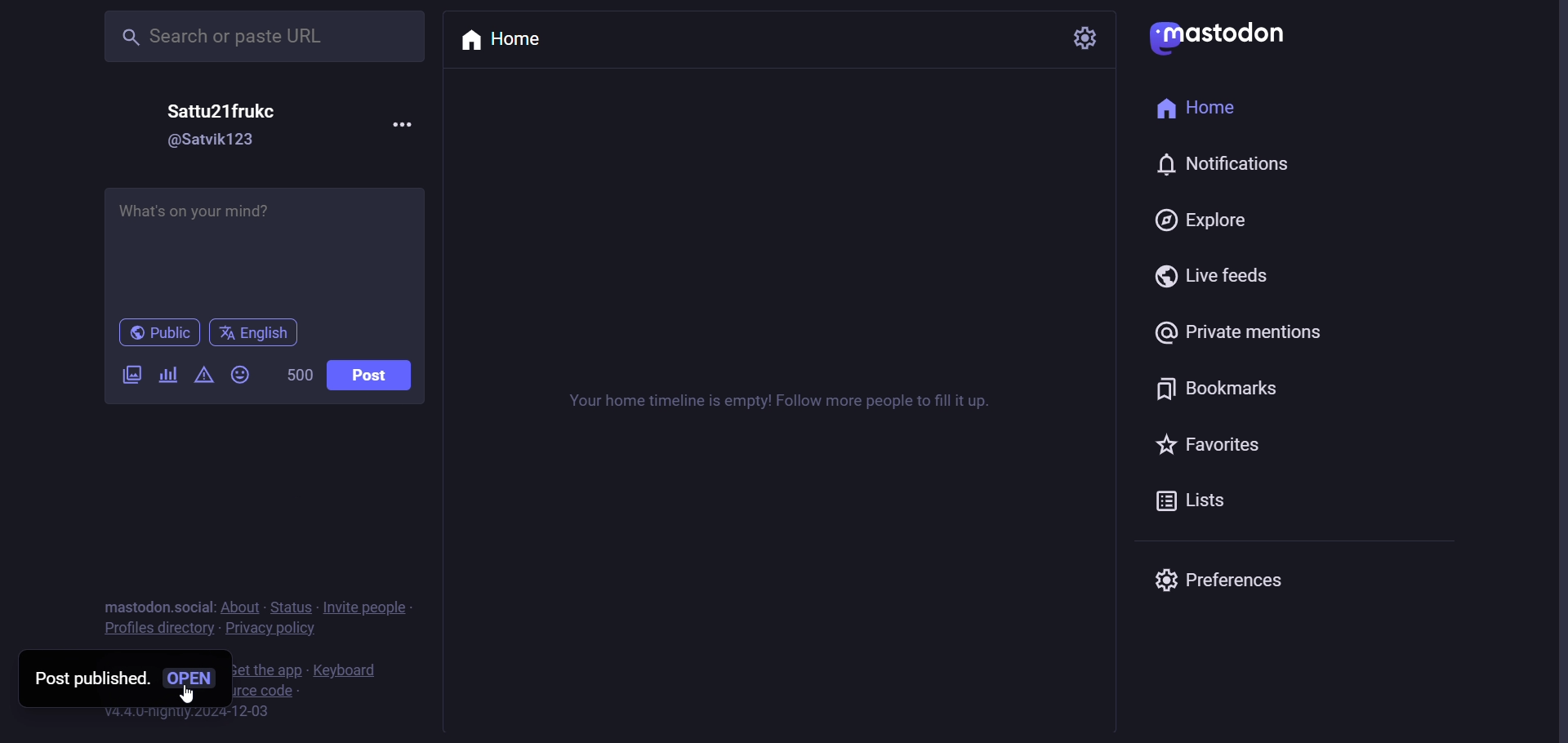 The image size is (1568, 743). What do you see at coordinates (369, 607) in the screenshot?
I see `invite people` at bounding box center [369, 607].